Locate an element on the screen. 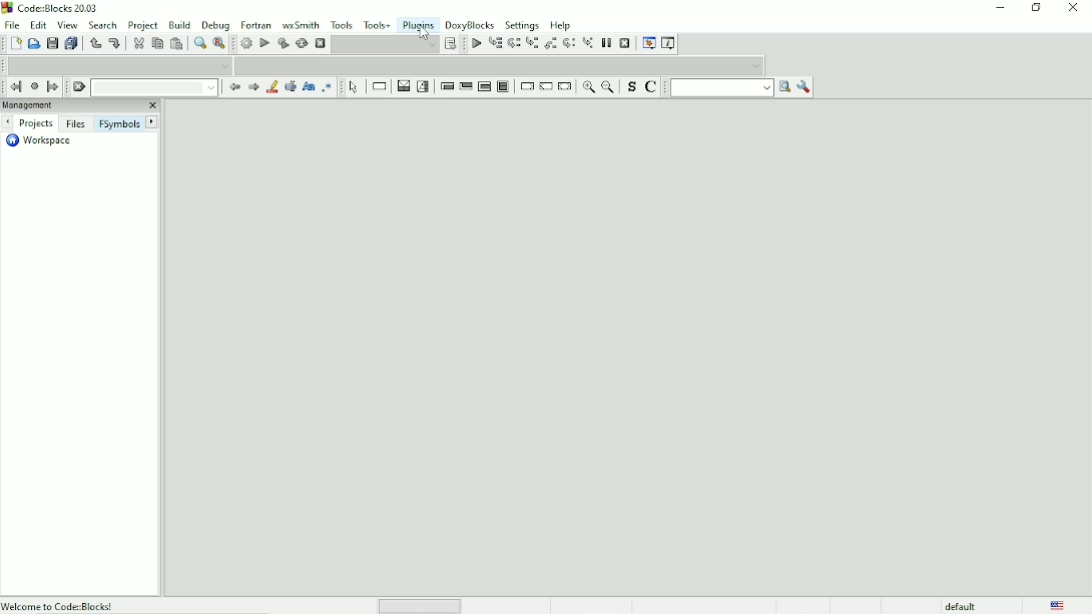 This screenshot has height=614, width=1092. Step out is located at coordinates (551, 44).